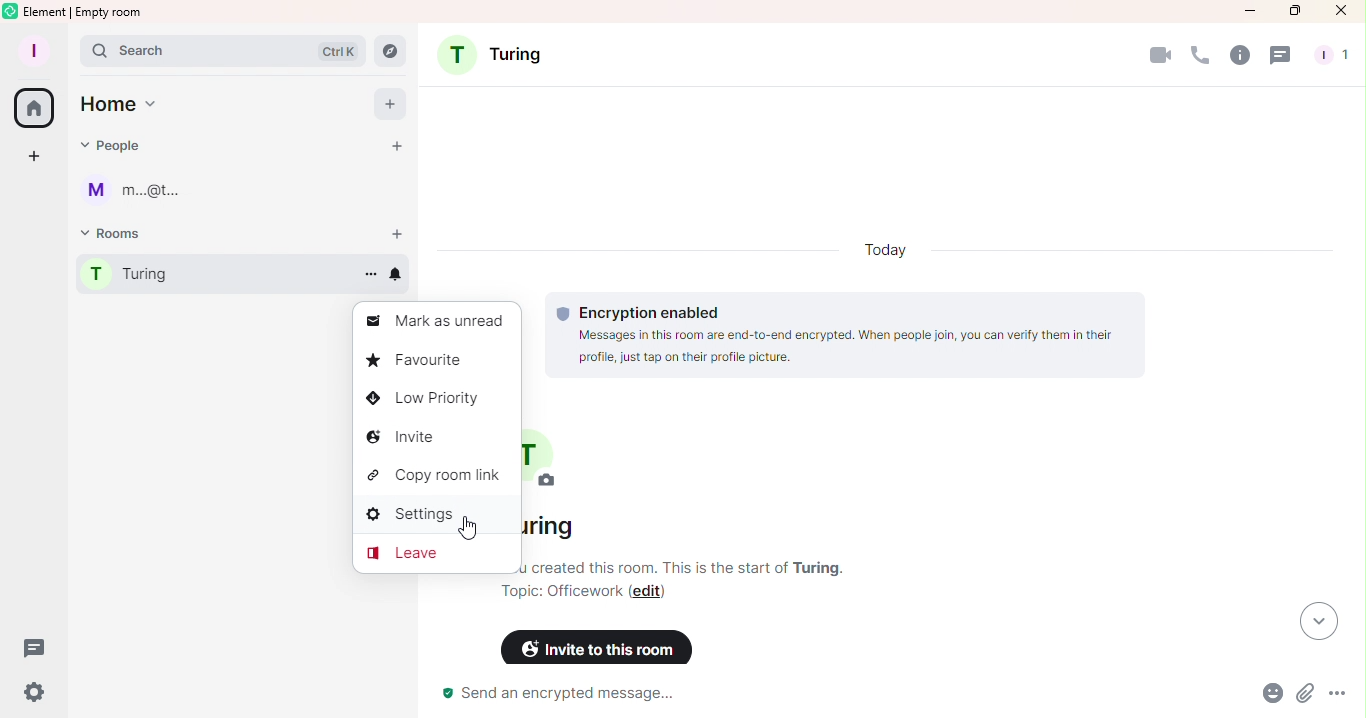 The width and height of the screenshot is (1366, 718). What do you see at coordinates (925, 326) in the screenshot?
I see `Encryption enabled` at bounding box center [925, 326].